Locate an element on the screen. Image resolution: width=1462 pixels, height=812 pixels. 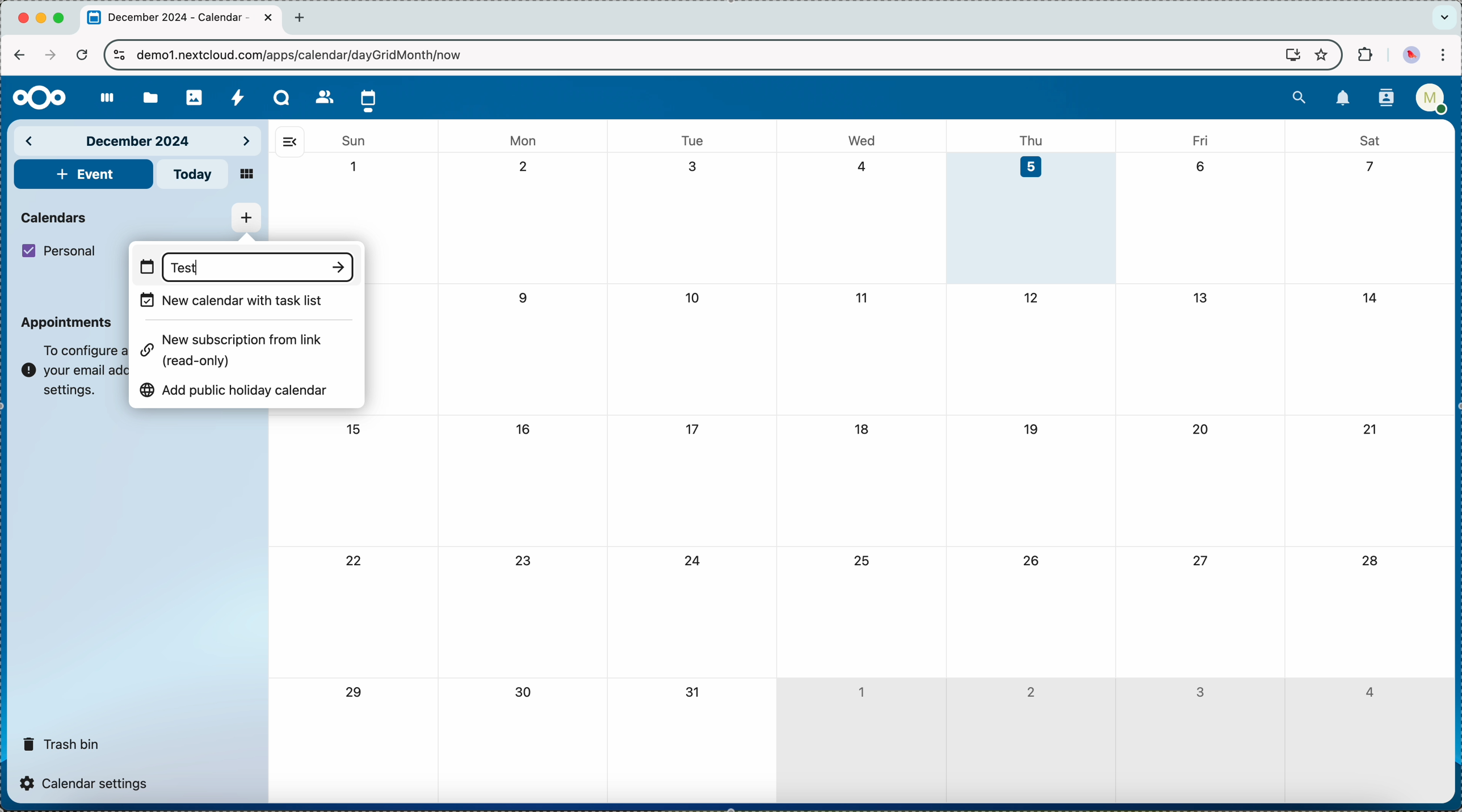
files is located at coordinates (149, 96).